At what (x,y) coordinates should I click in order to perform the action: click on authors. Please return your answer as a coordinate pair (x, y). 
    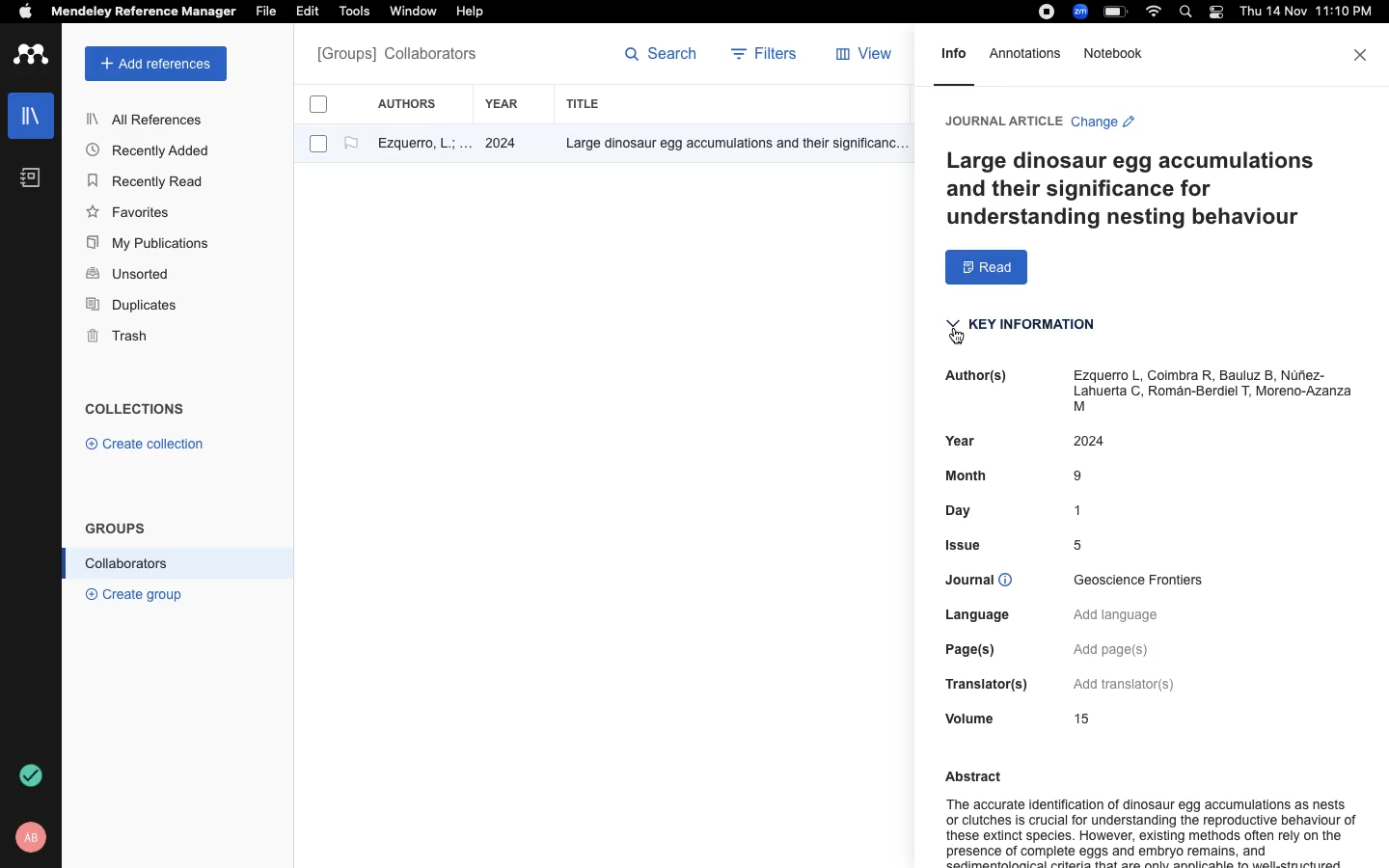
    Looking at the image, I should click on (418, 103).